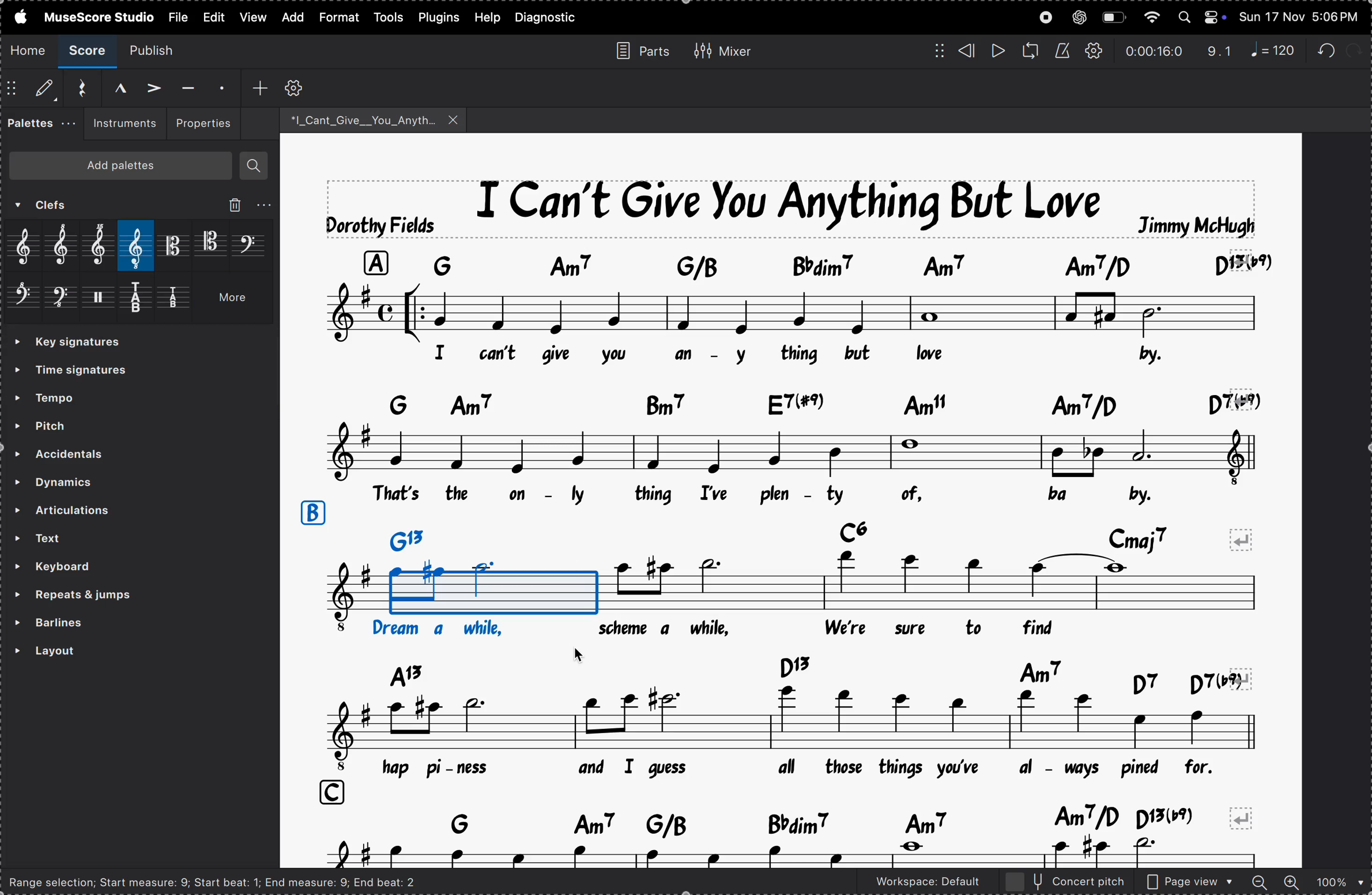  Describe the element at coordinates (1046, 17) in the screenshot. I see `record` at that location.